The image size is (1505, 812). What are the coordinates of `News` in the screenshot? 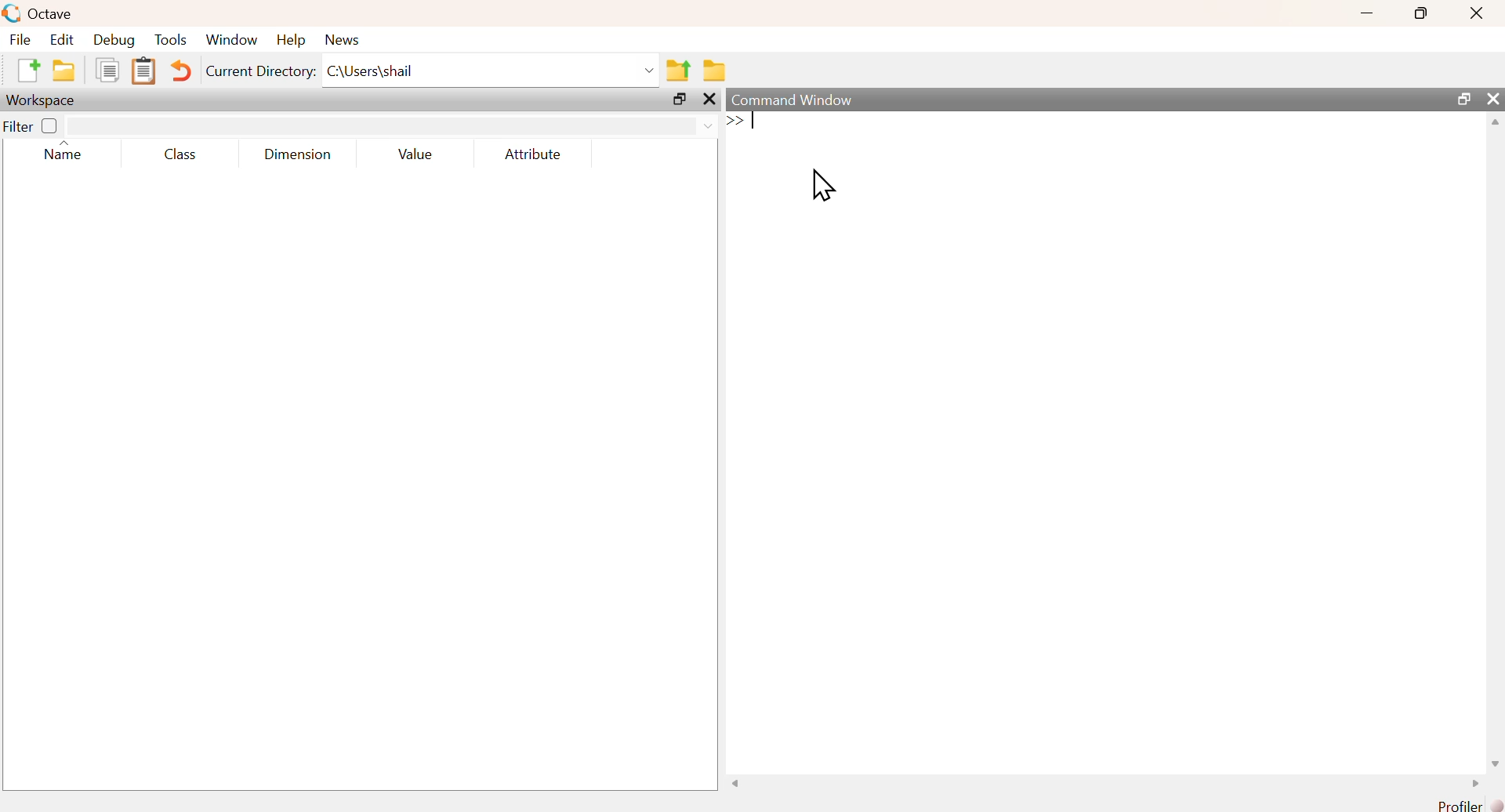 It's located at (343, 40).